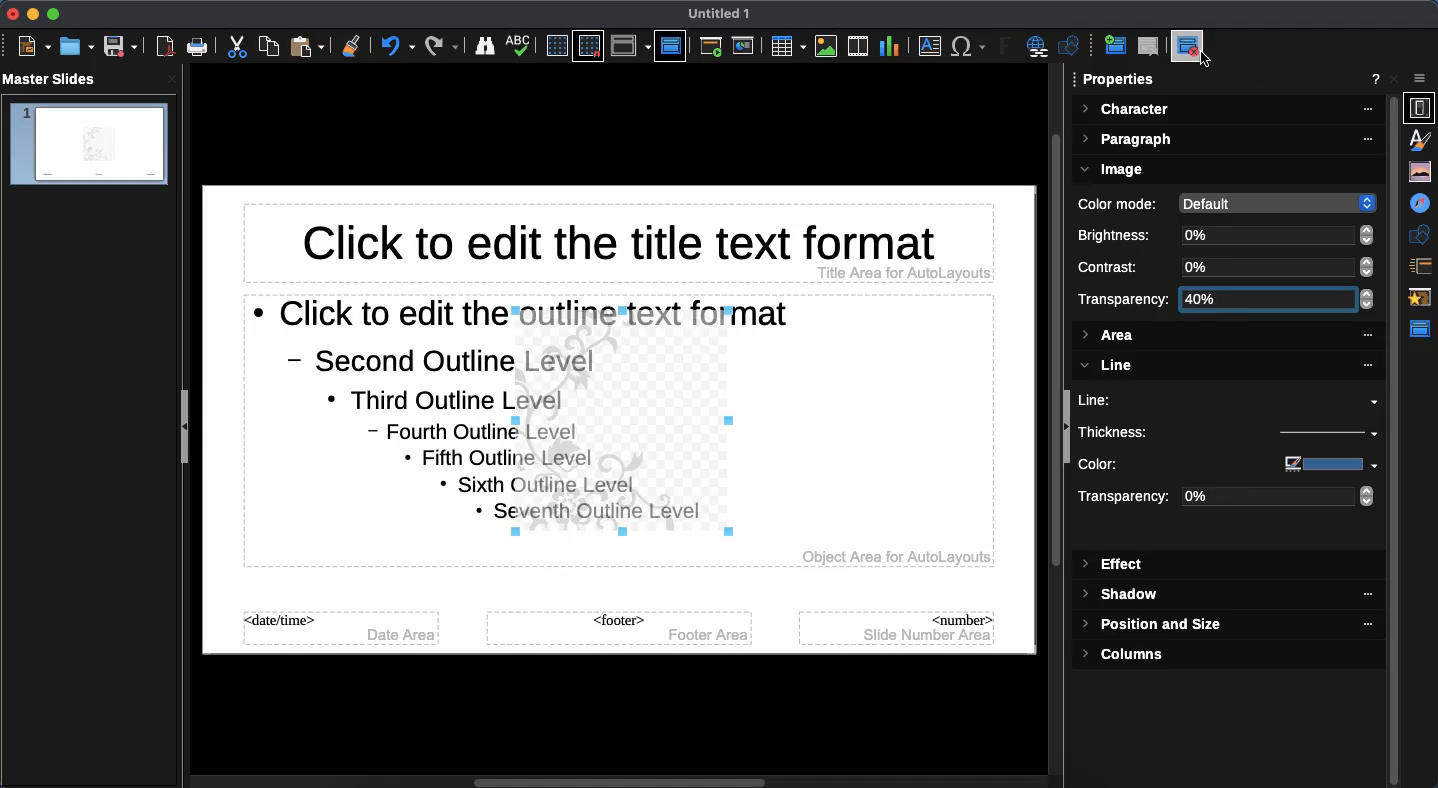 This screenshot has width=1438, height=788. What do you see at coordinates (720, 14) in the screenshot?
I see `Untitled` at bounding box center [720, 14].